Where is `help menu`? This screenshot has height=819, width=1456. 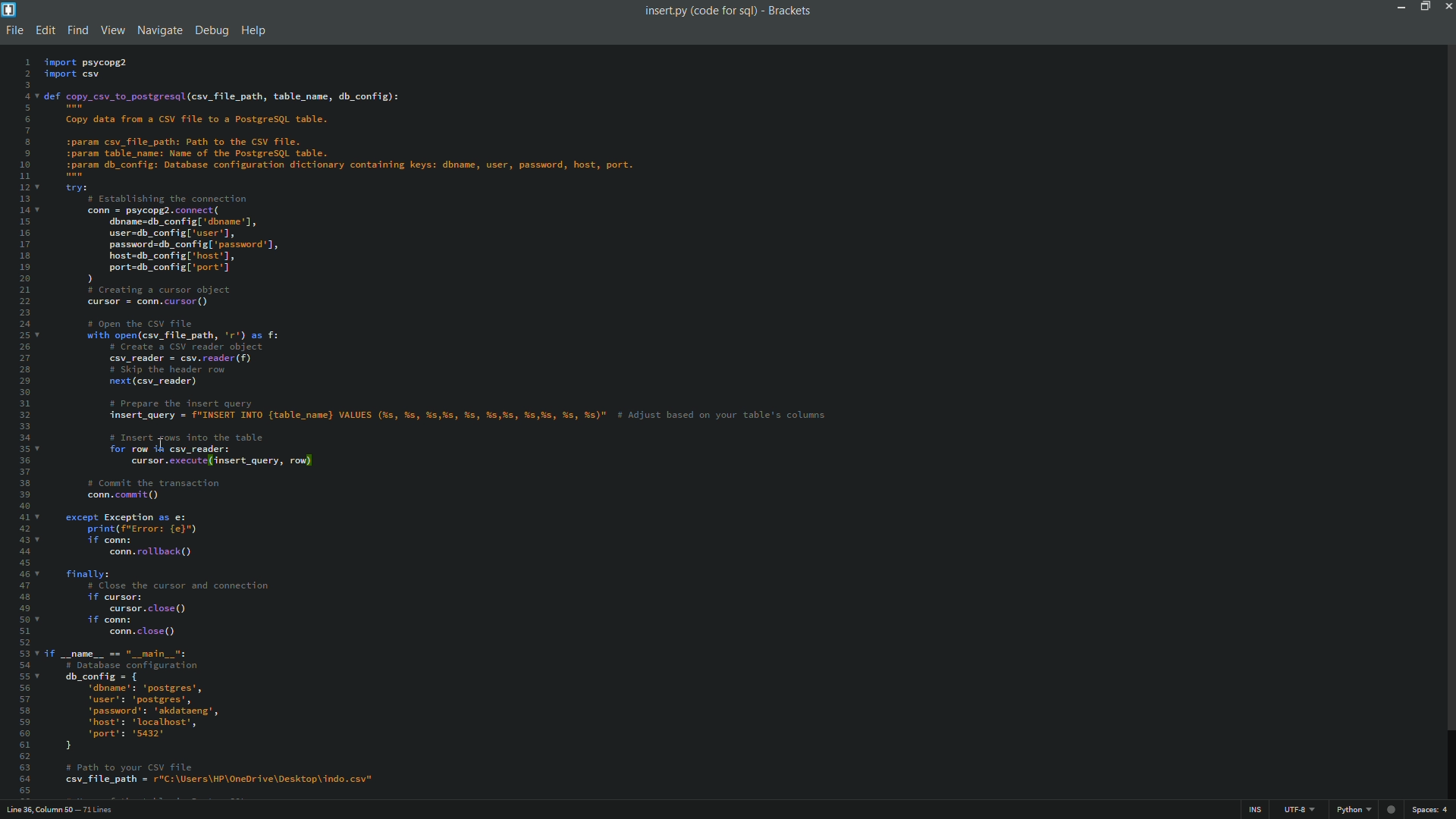
help menu is located at coordinates (256, 30).